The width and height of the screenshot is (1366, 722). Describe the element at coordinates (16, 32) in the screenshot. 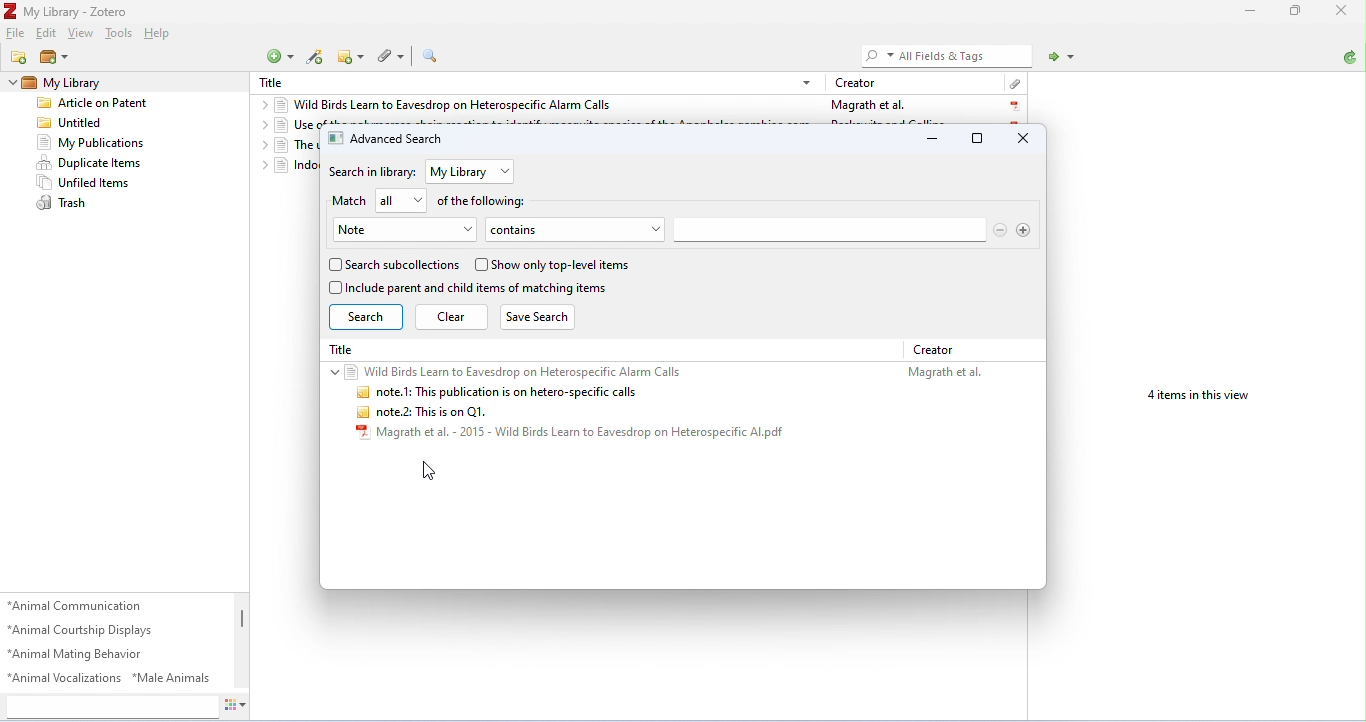

I see `file` at that location.